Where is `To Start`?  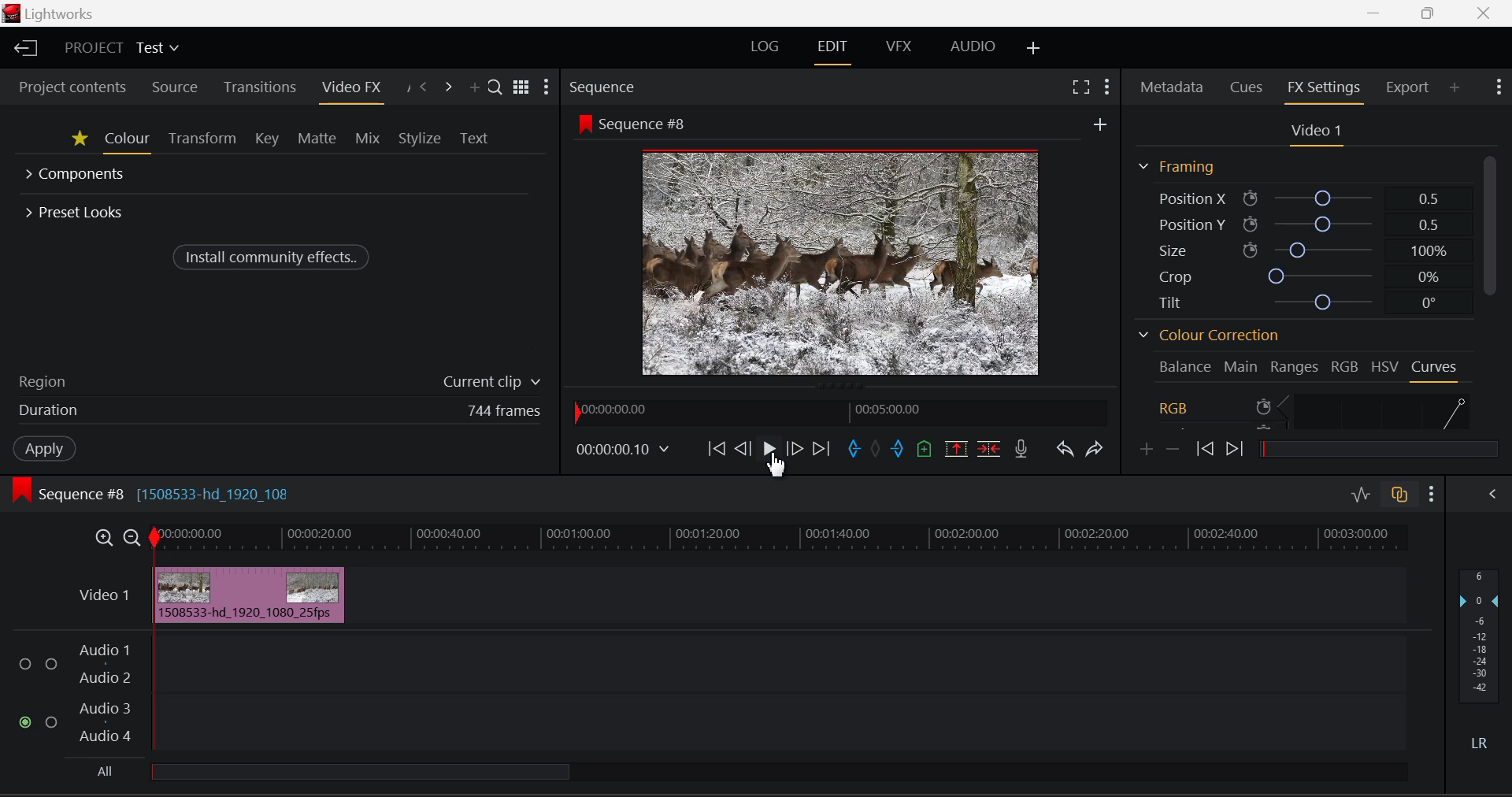 To Start is located at coordinates (718, 450).